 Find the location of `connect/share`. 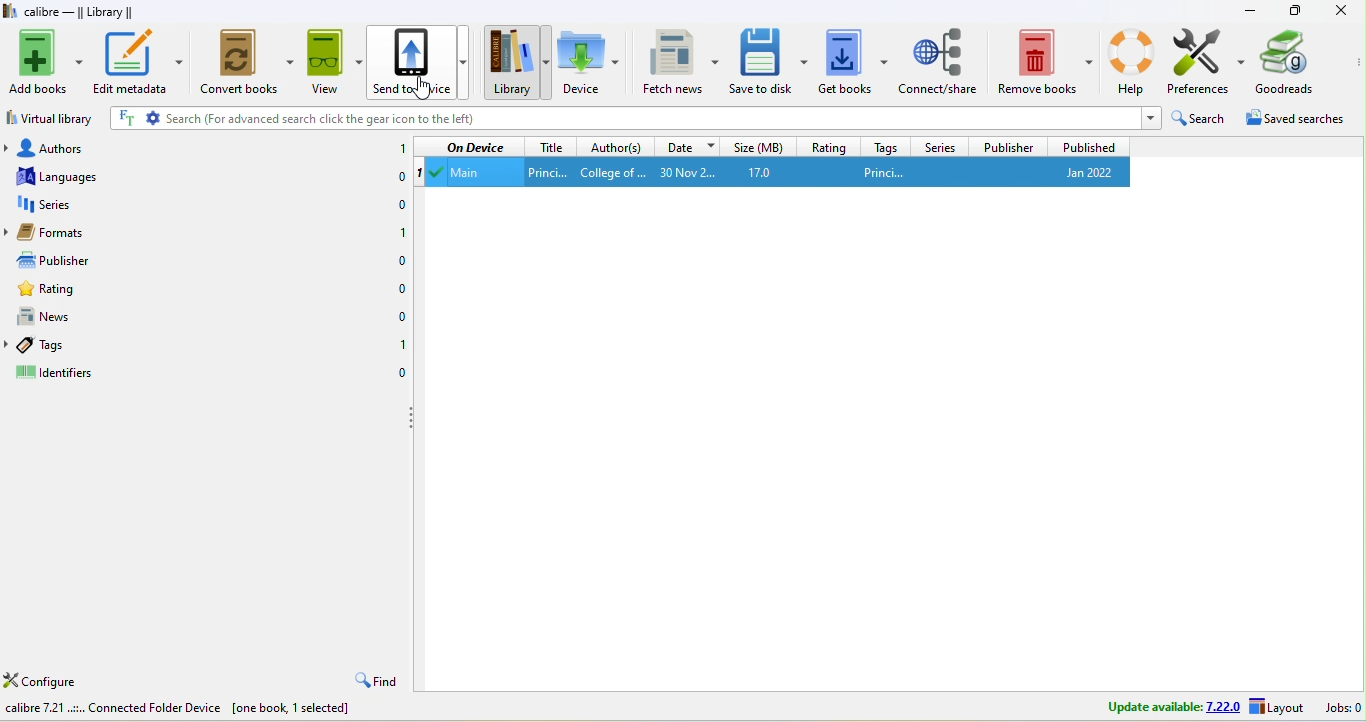

connect/share is located at coordinates (940, 62).